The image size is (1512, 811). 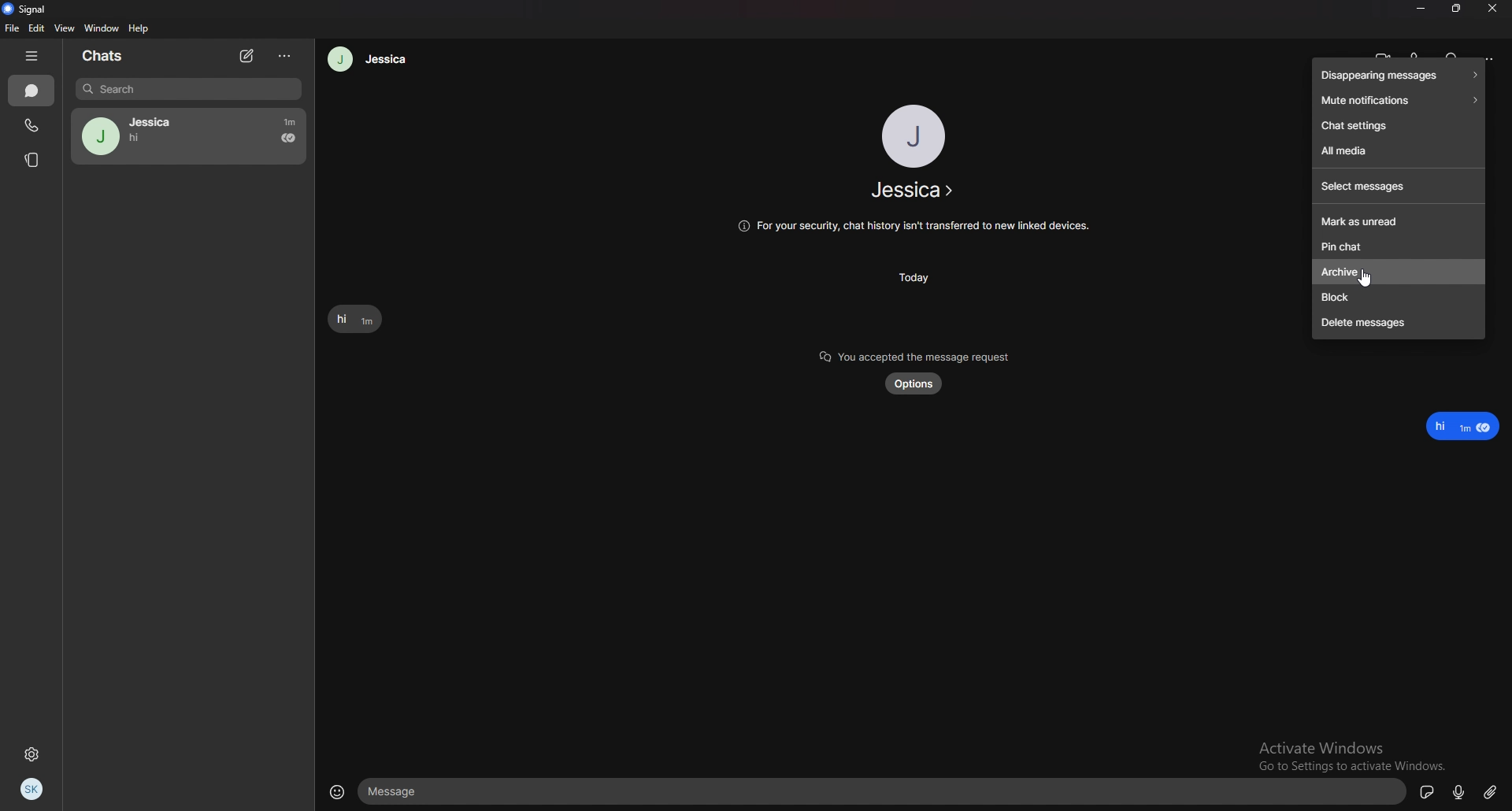 I want to click on today, so click(x=914, y=277).